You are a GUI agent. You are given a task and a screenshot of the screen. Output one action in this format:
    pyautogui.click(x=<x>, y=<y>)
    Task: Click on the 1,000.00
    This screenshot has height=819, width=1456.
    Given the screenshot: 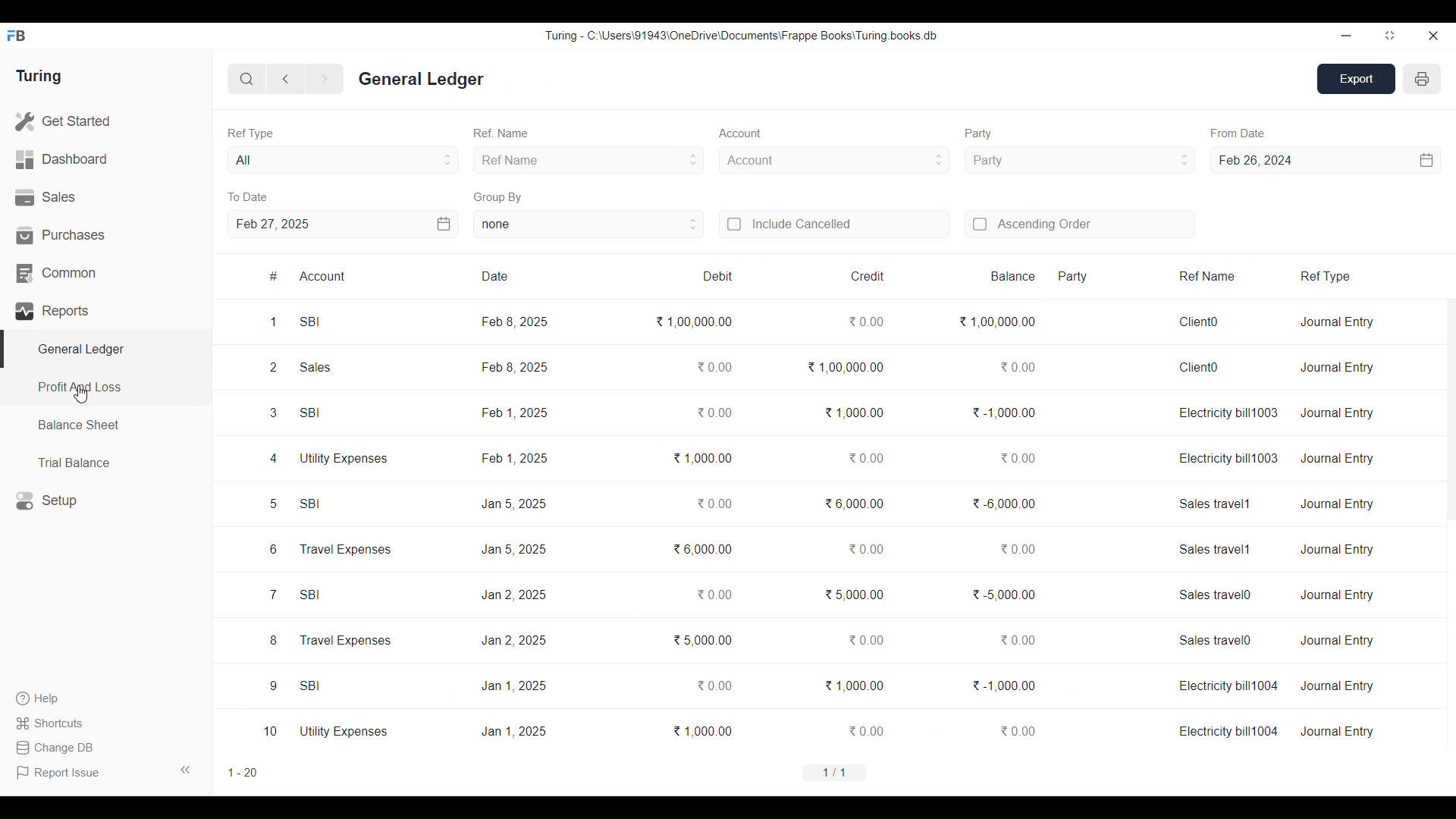 What is the action you would take?
    pyautogui.click(x=855, y=686)
    